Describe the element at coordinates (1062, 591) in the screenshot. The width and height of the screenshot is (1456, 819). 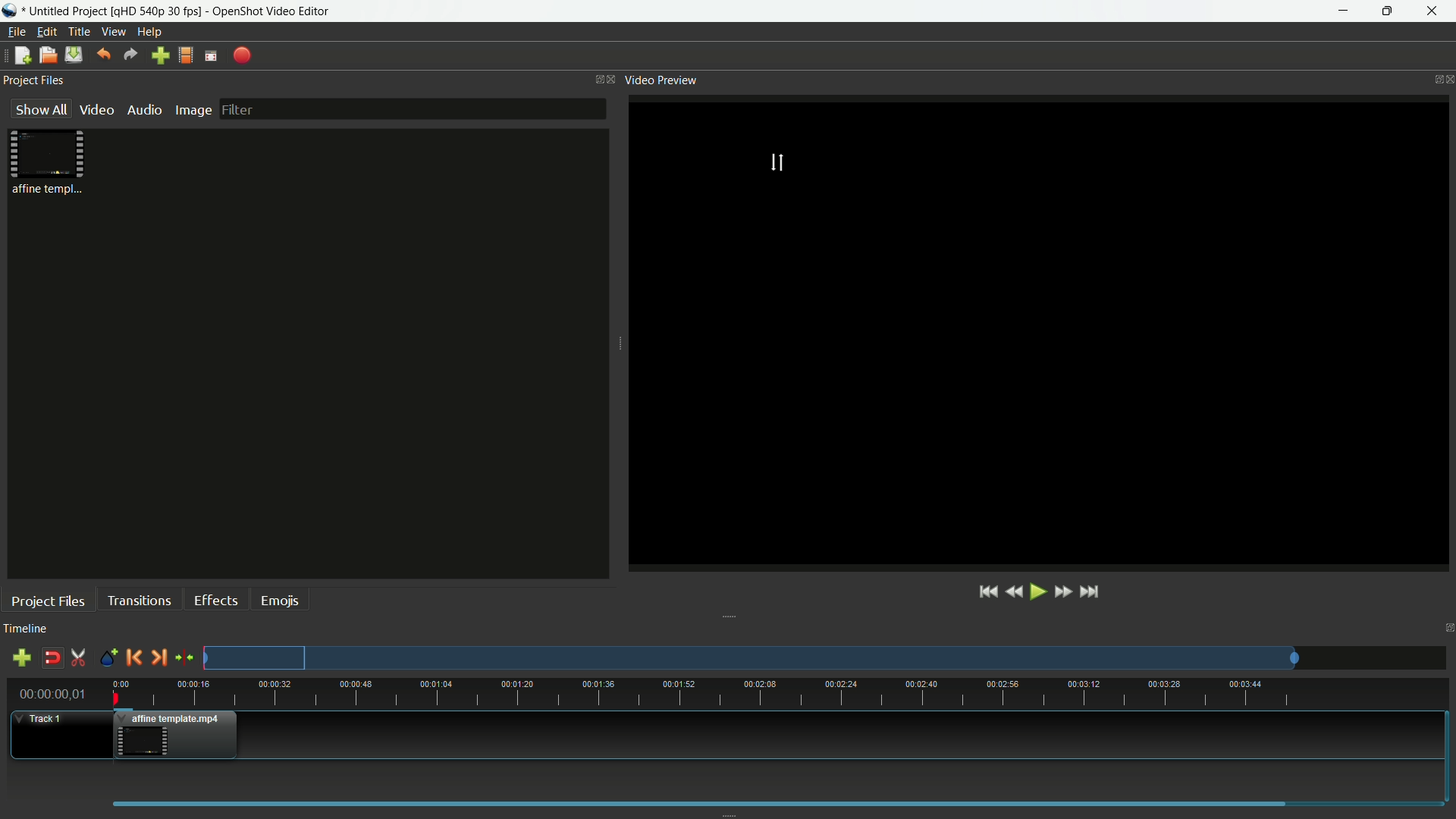
I see `fast forward` at that location.